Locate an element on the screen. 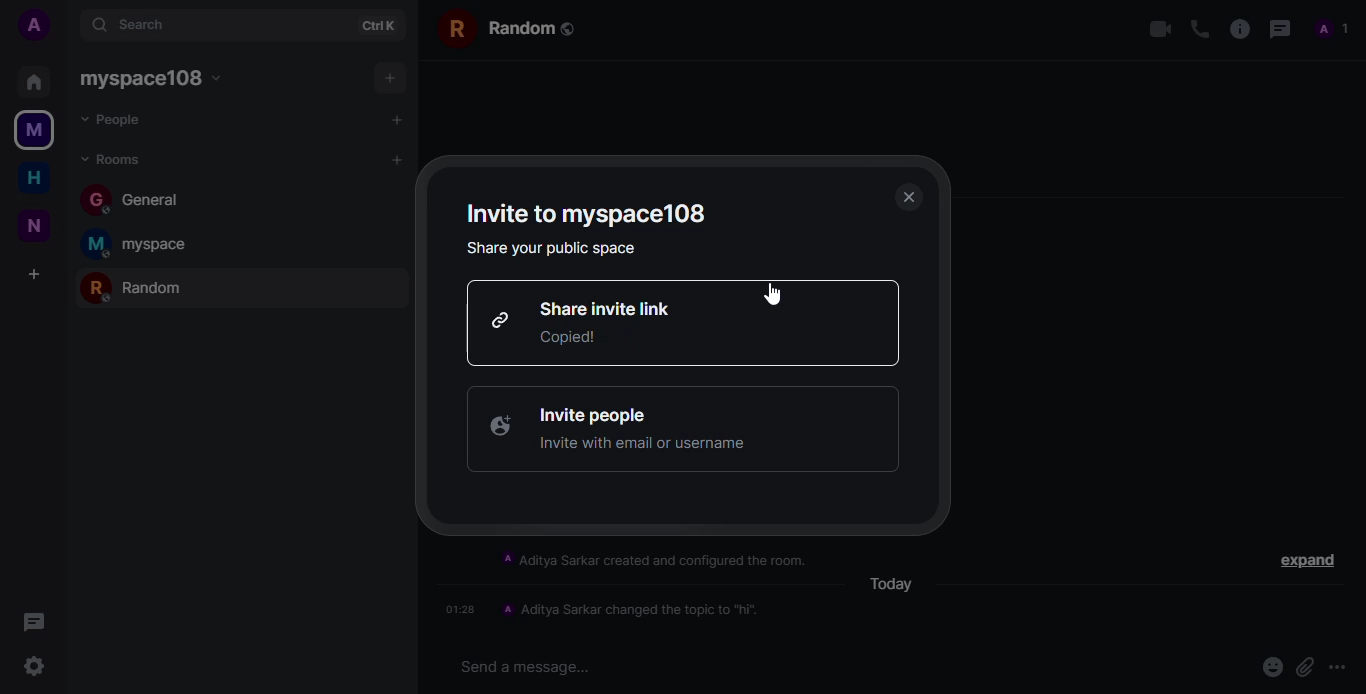 Image resolution: width=1366 pixels, height=694 pixels. A Aditya Sarkar changed the topic to "hi". is located at coordinates (635, 610).